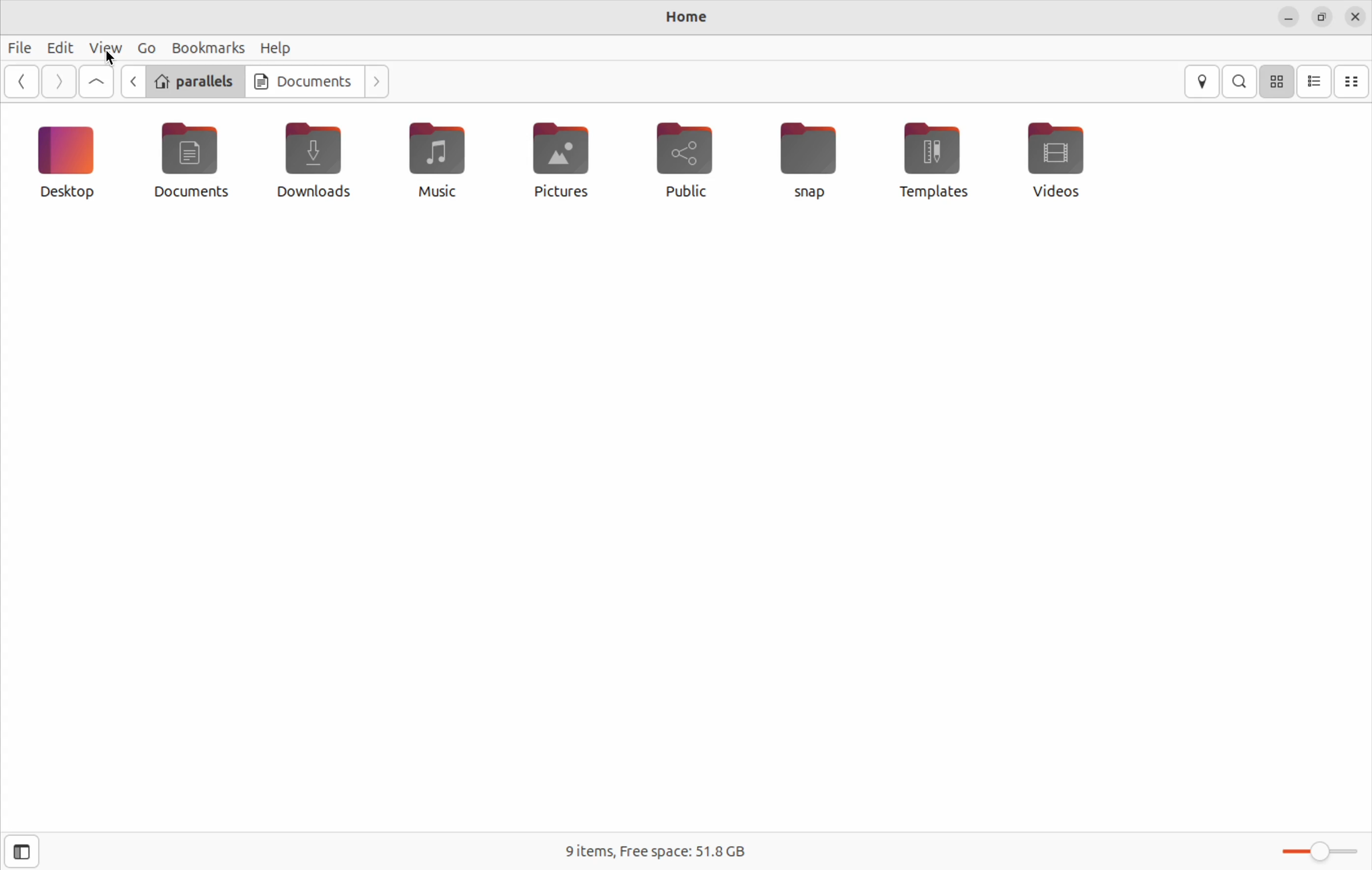 Image resolution: width=1372 pixels, height=870 pixels. What do you see at coordinates (22, 47) in the screenshot?
I see `files` at bounding box center [22, 47].